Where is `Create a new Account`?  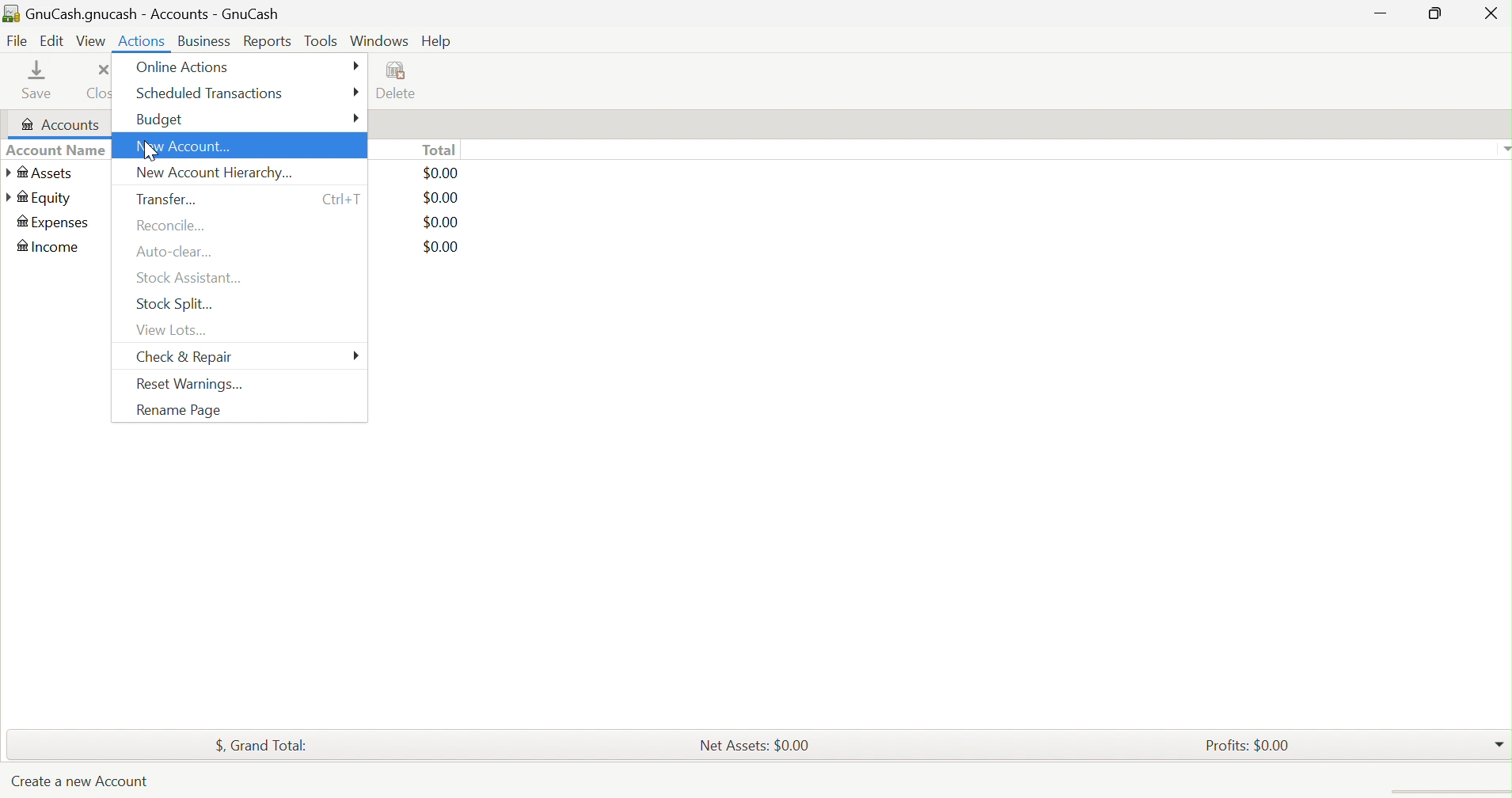 Create a new Account is located at coordinates (79, 785).